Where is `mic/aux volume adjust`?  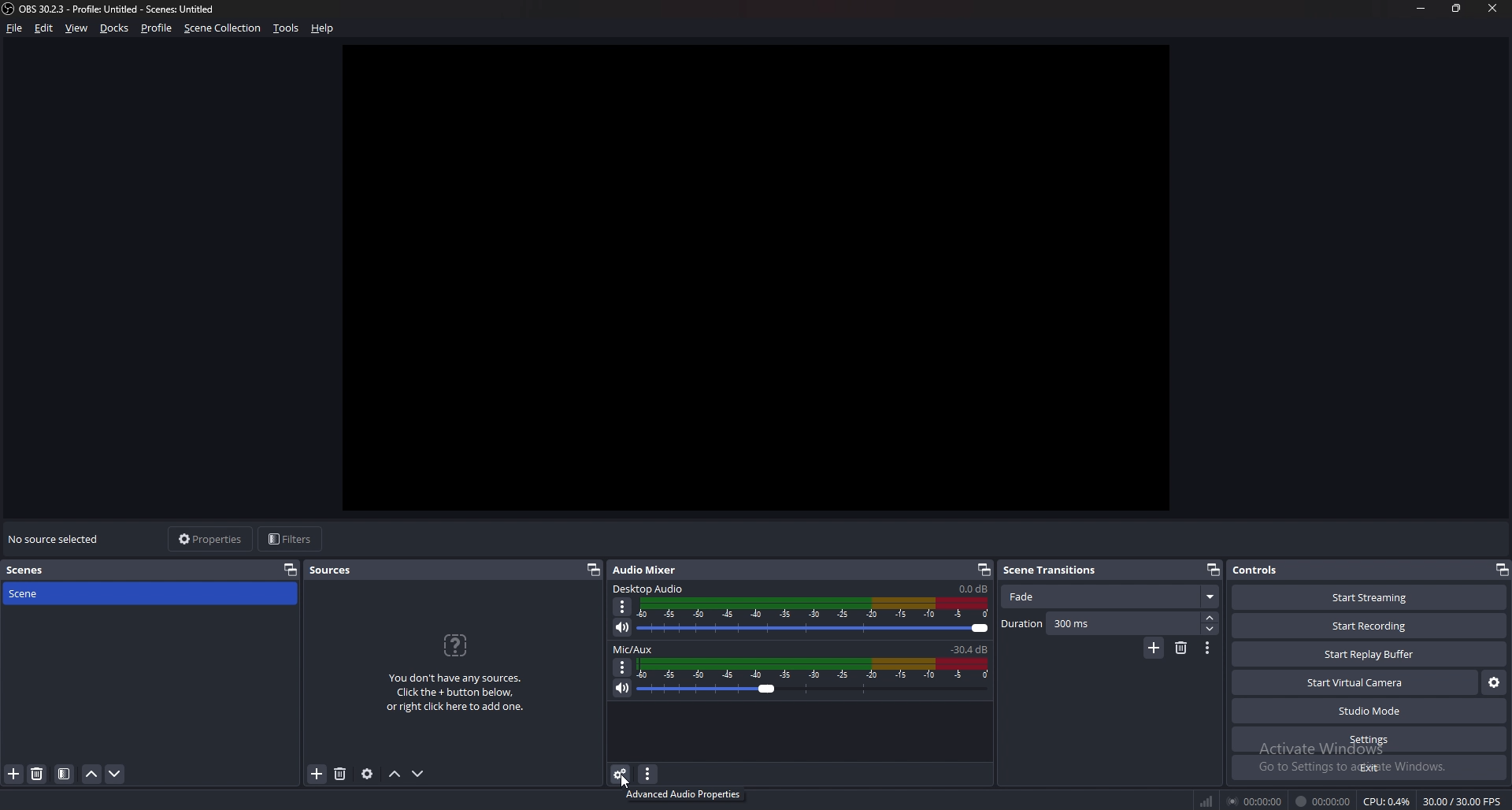 mic/aux volume adjust is located at coordinates (815, 678).